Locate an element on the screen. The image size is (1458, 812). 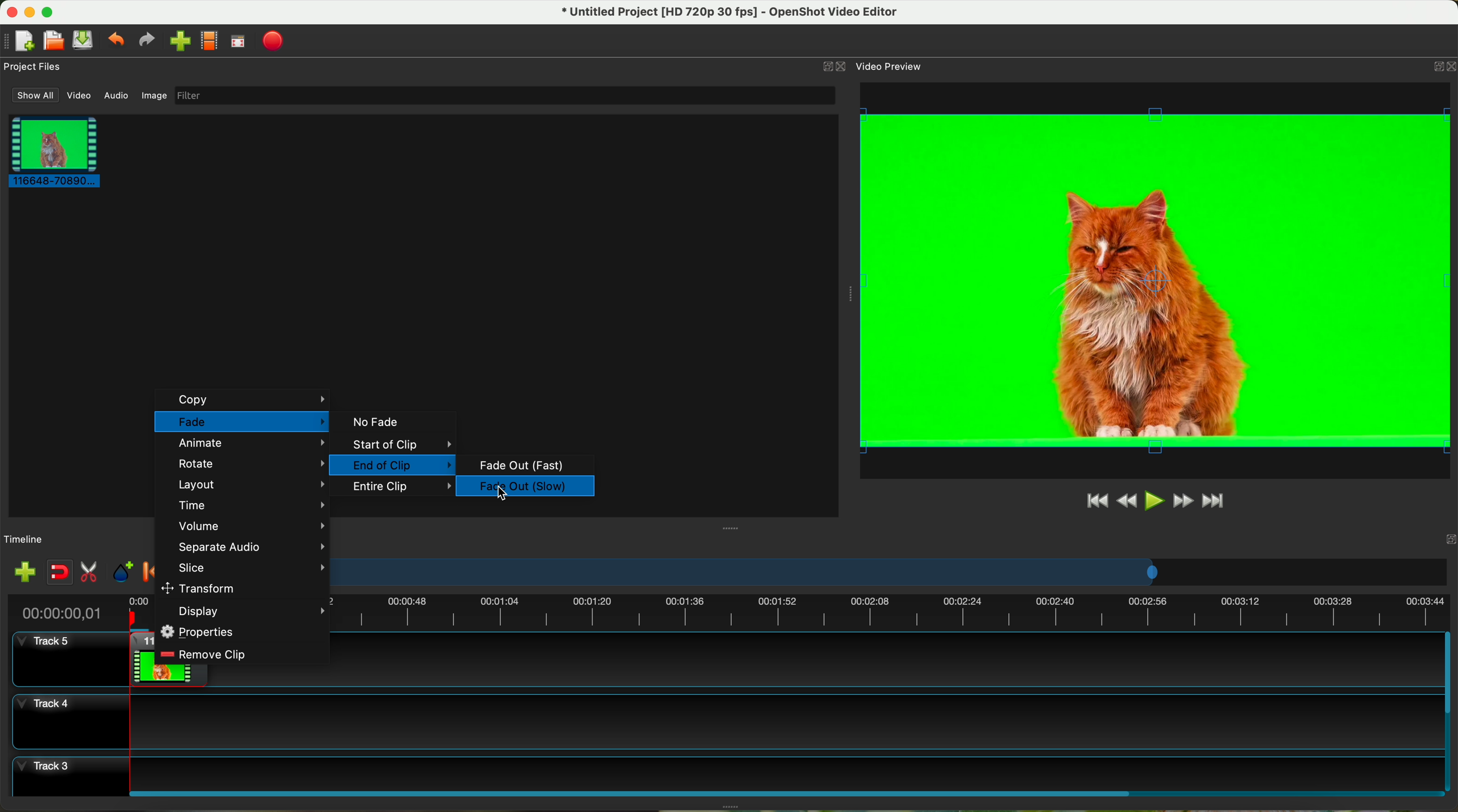
enable razor is located at coordinates (89, 573).